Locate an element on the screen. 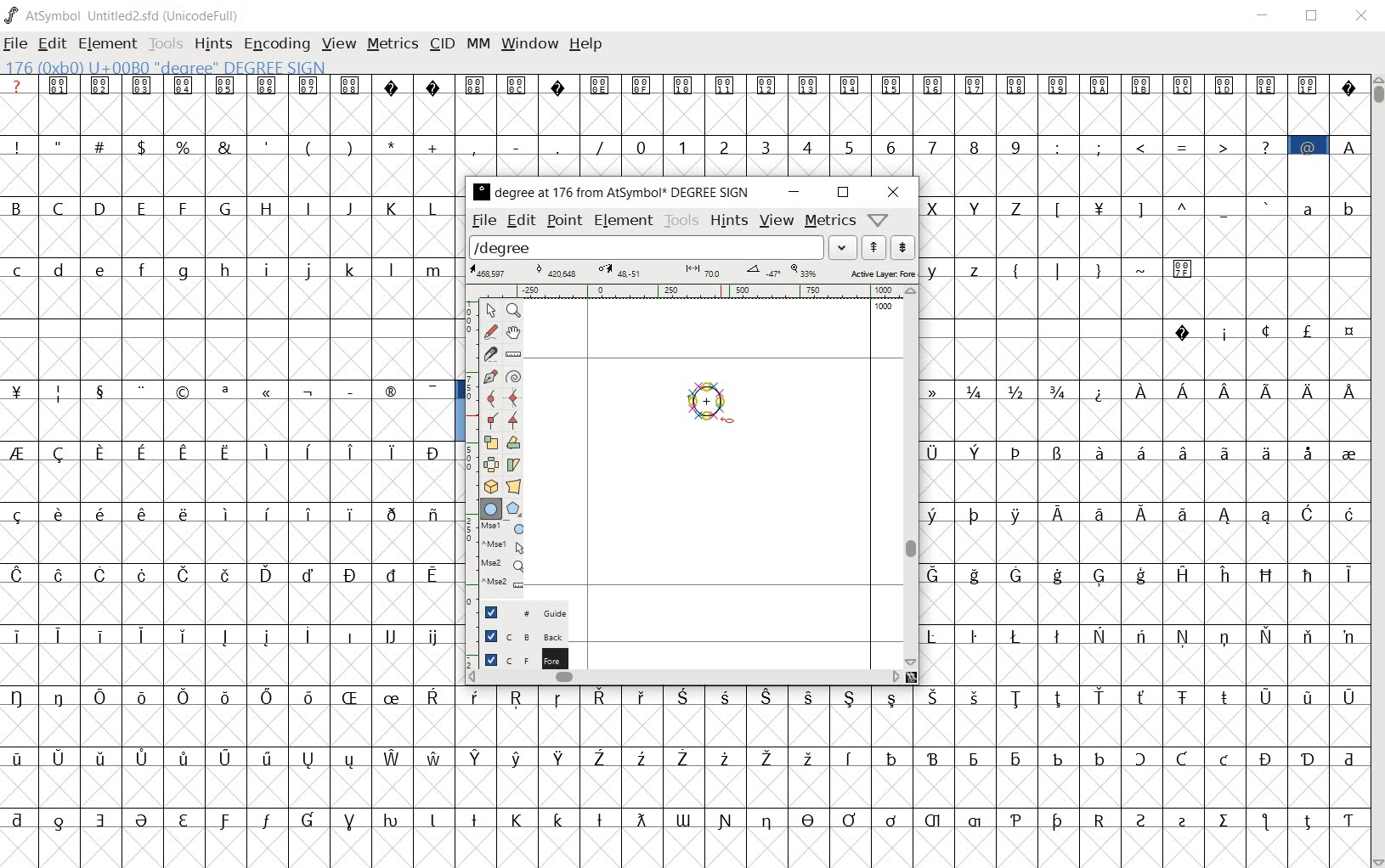  fractions is located at coordinates (1003, 389).